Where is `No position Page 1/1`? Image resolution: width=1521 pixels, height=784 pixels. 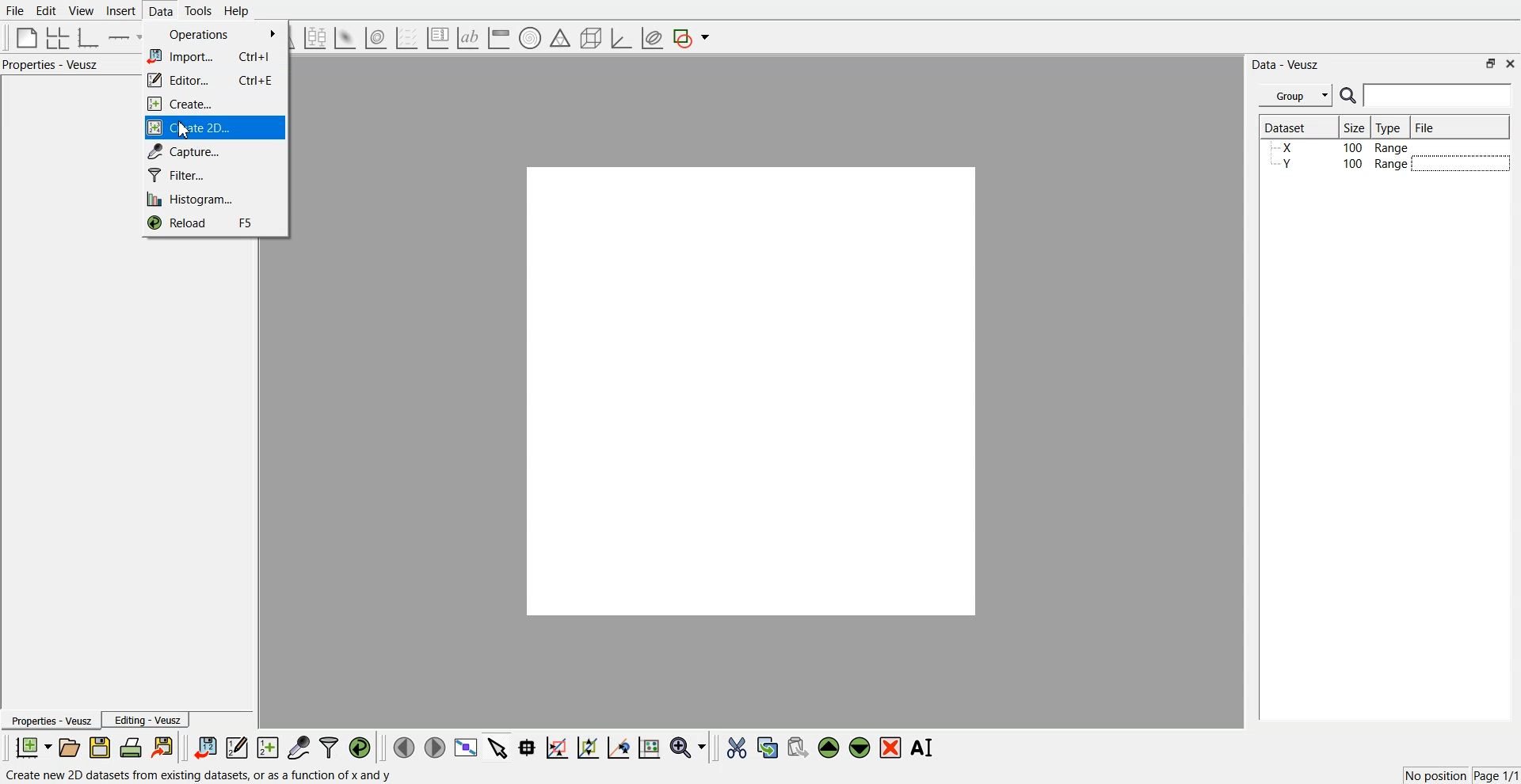 No position Page 1/1 is located at coordinates (1461, 775).